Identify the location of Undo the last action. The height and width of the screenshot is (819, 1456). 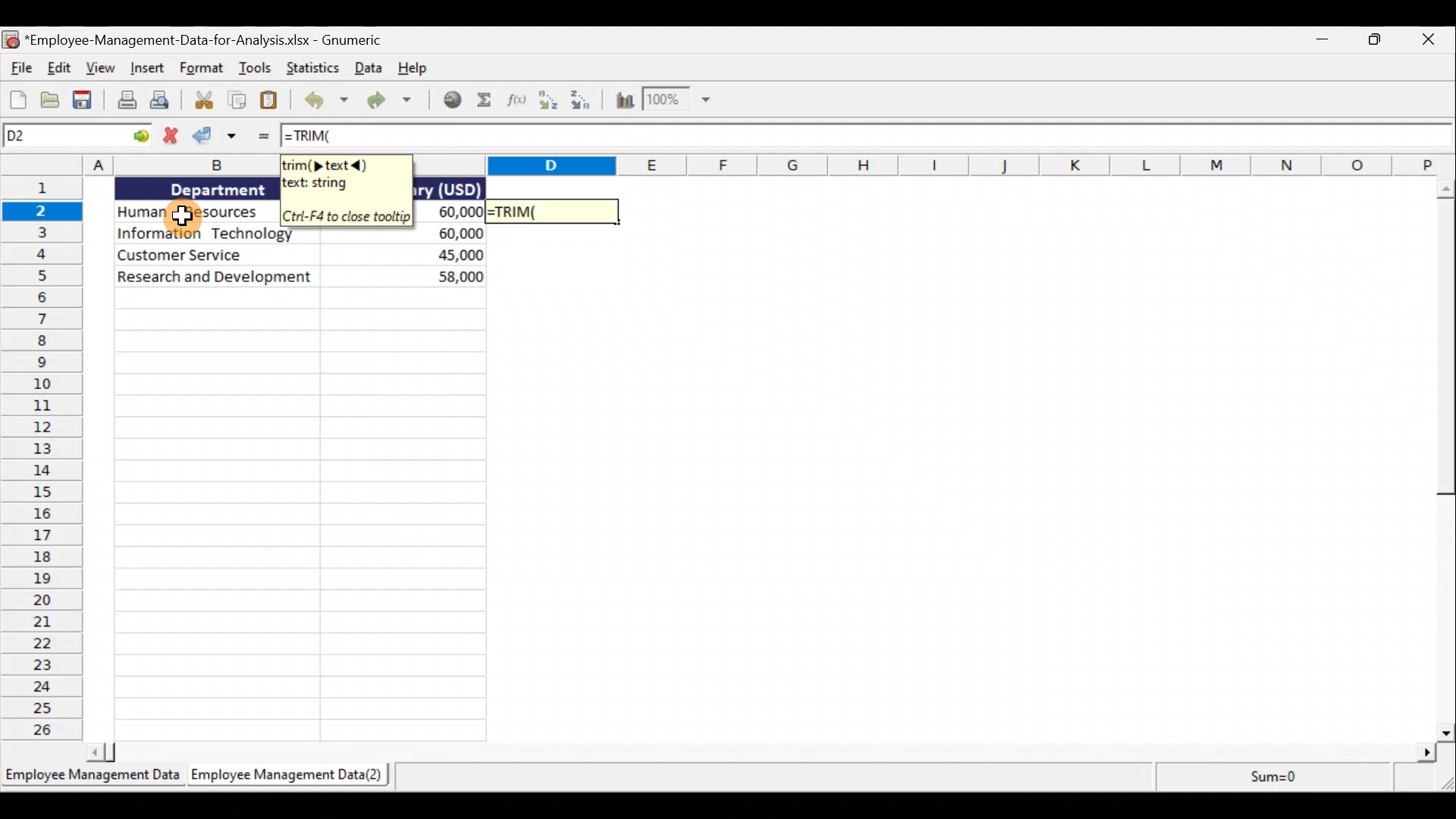
(325, 102).